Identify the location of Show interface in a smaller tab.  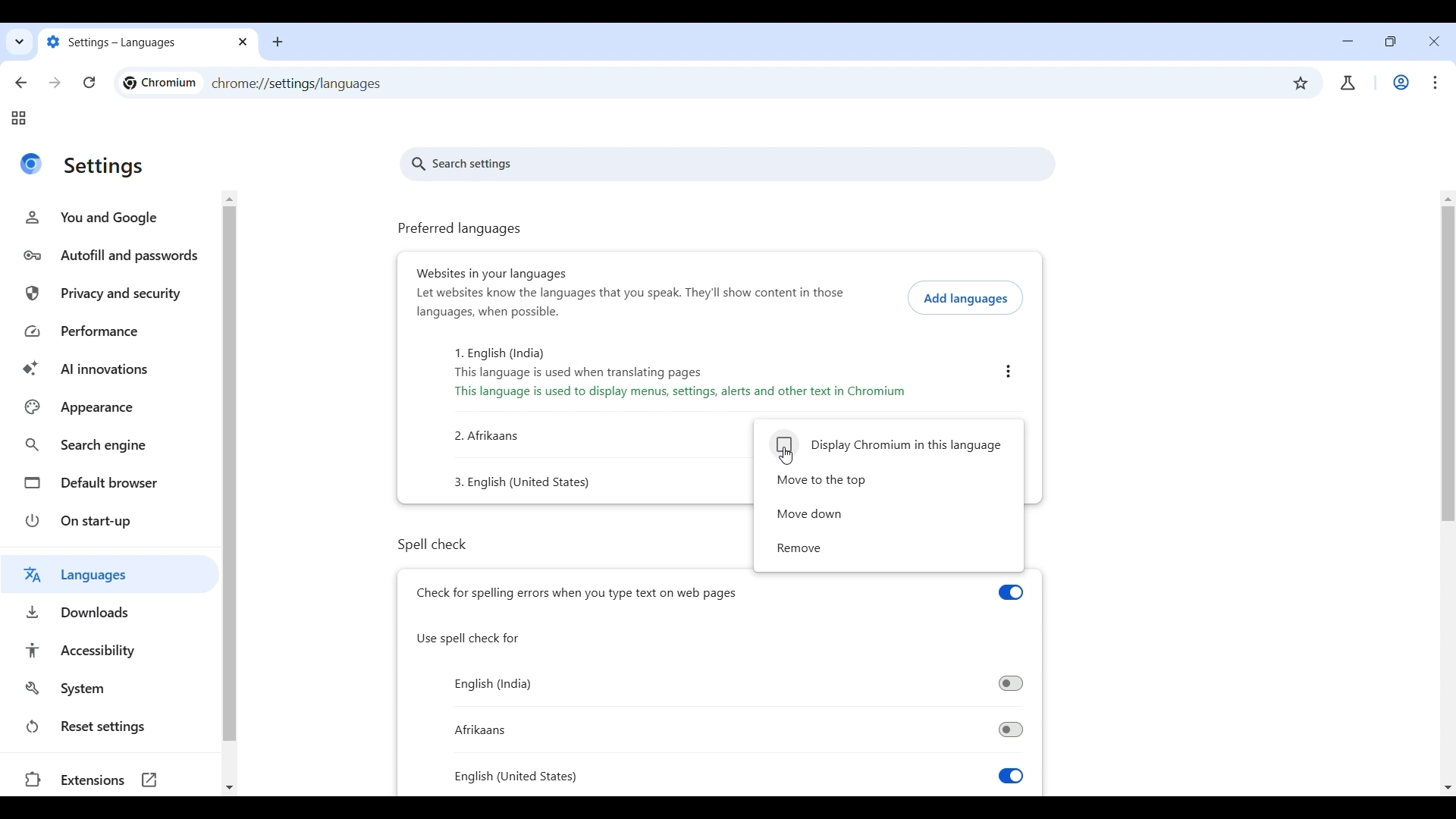
(1387, 44).